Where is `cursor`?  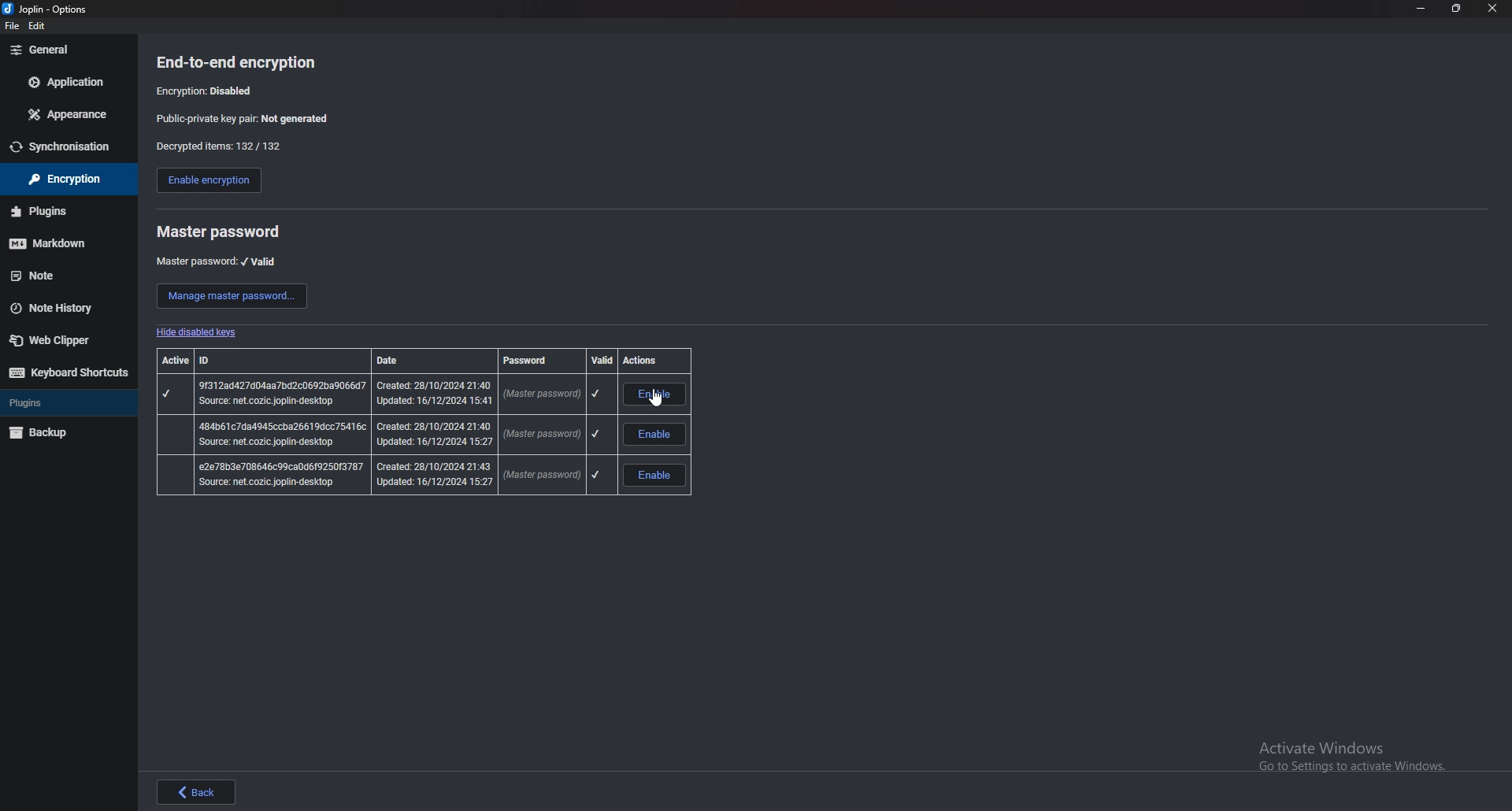 cursor is located at coordinates (658, 398).